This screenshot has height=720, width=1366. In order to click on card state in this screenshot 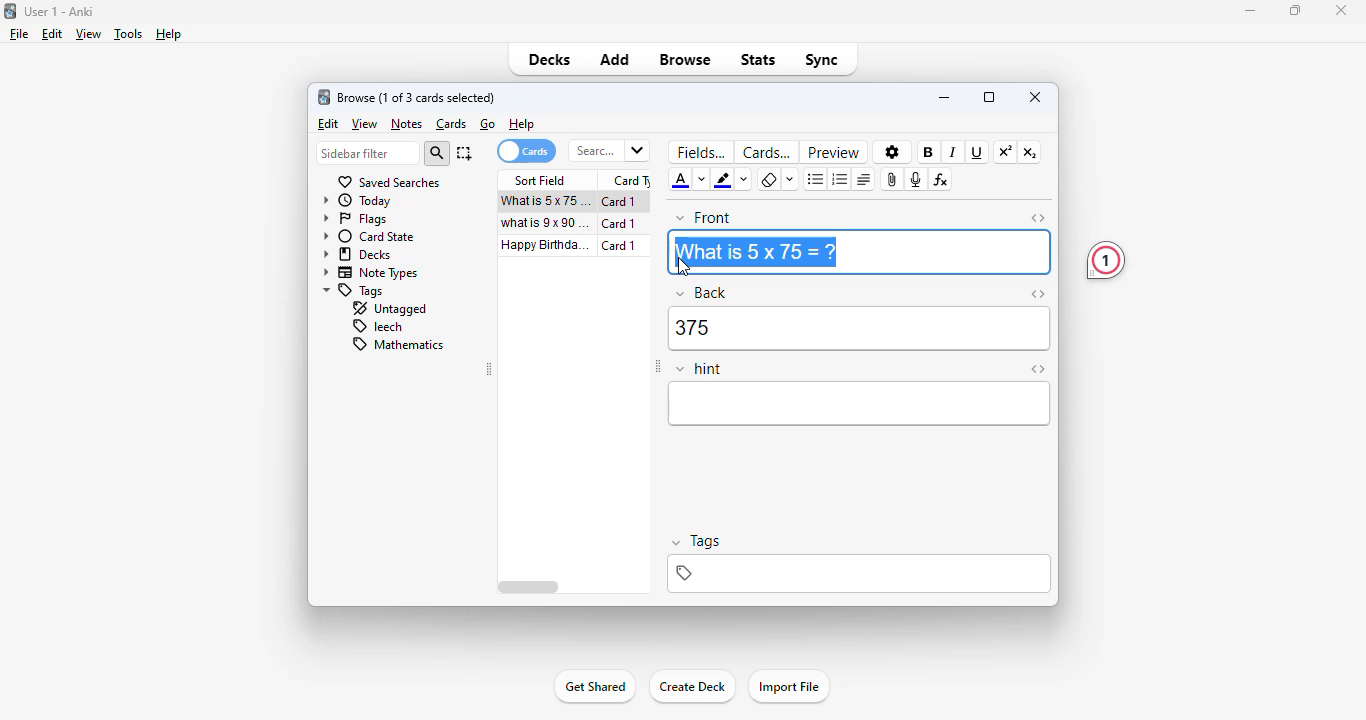, I will do `click(369, 236)`.